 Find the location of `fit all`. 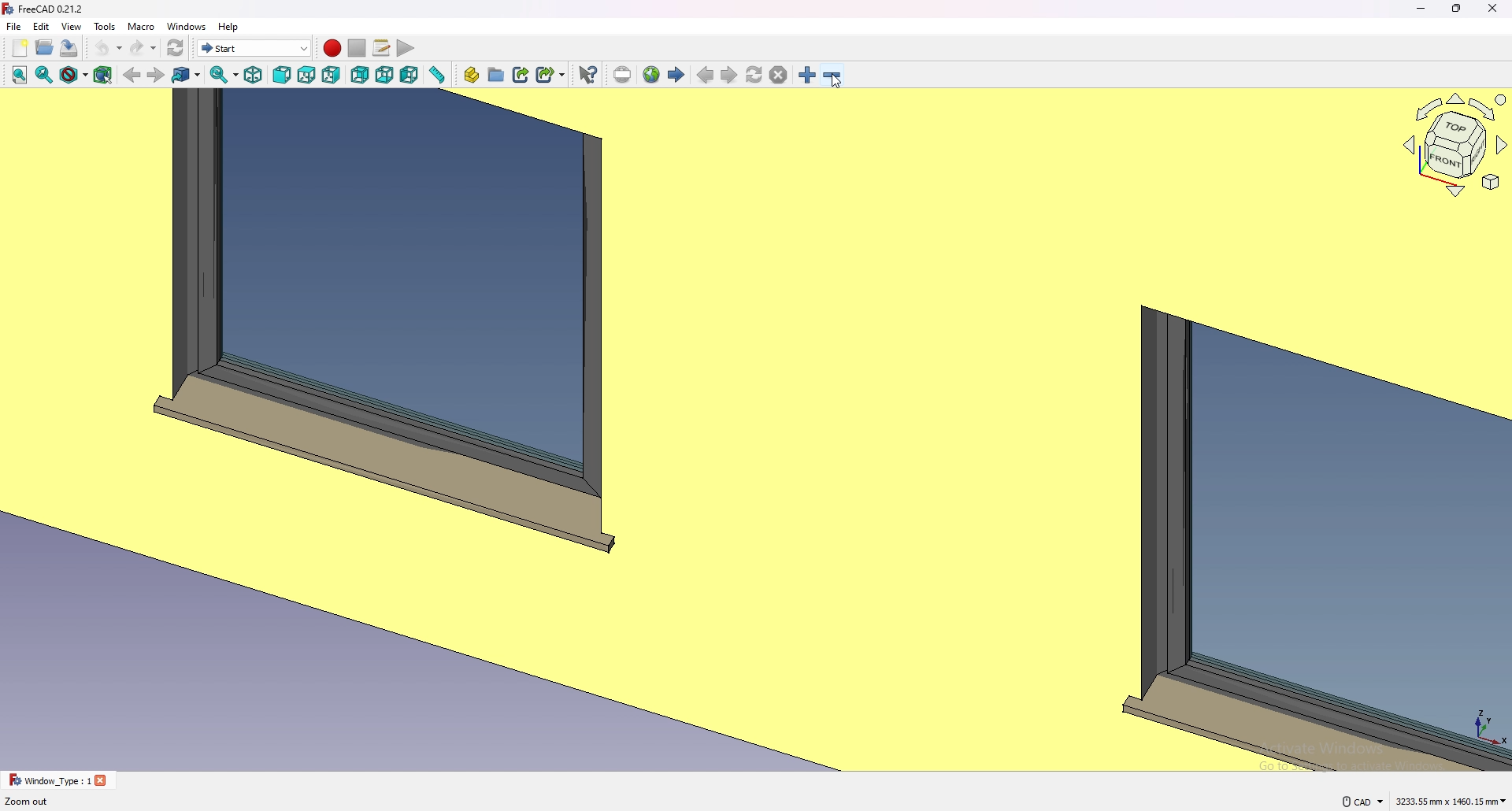

fit all is located at coordinates (19, 75).